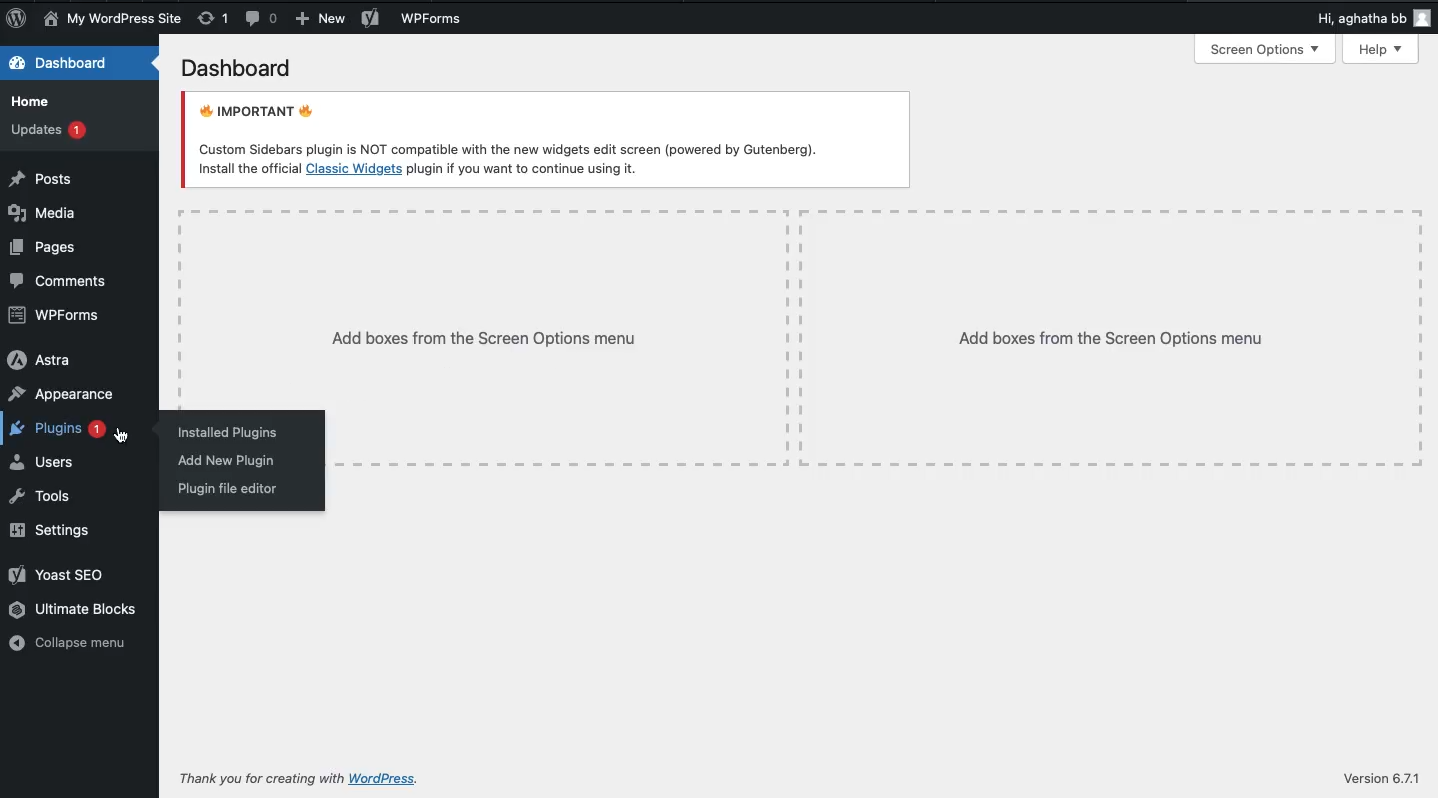 This screenshot has width=1438, height=798. I want to click on Appearance, so click(63, 393).